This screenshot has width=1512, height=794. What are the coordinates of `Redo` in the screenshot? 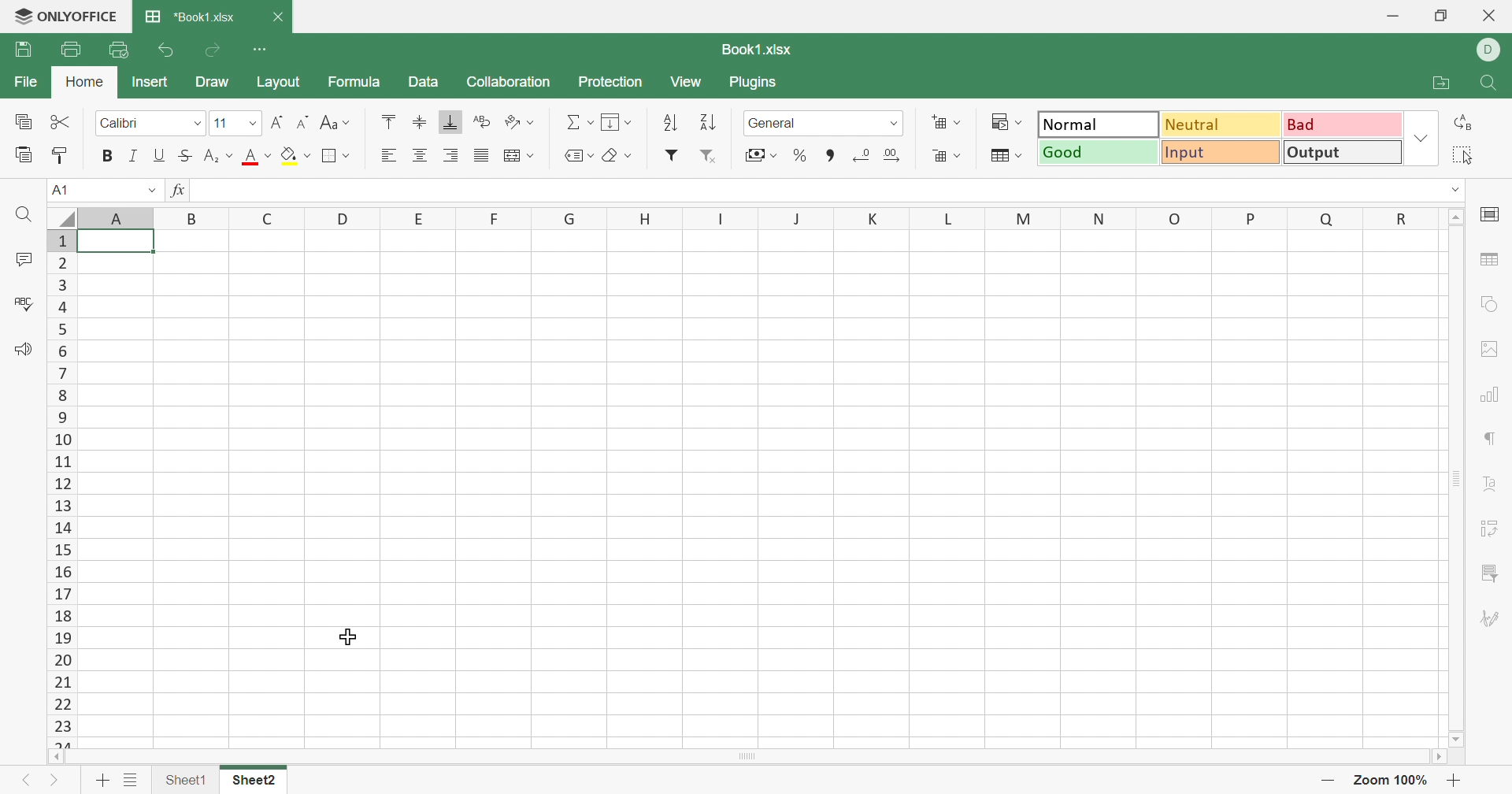 It's located at (213, 51).